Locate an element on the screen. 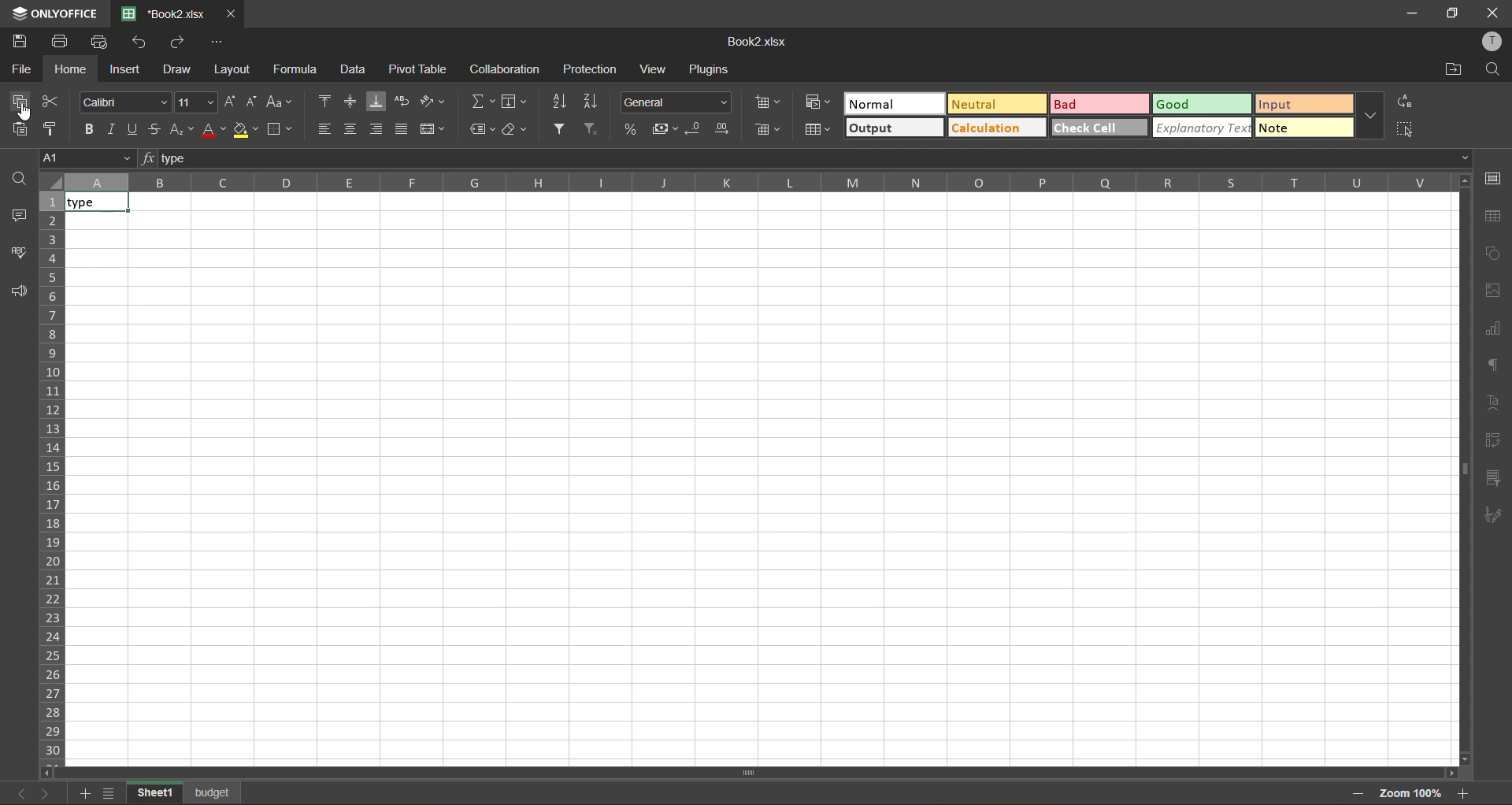 The image size is (1512, 805). sort descending is located at coordinates (591, 101).